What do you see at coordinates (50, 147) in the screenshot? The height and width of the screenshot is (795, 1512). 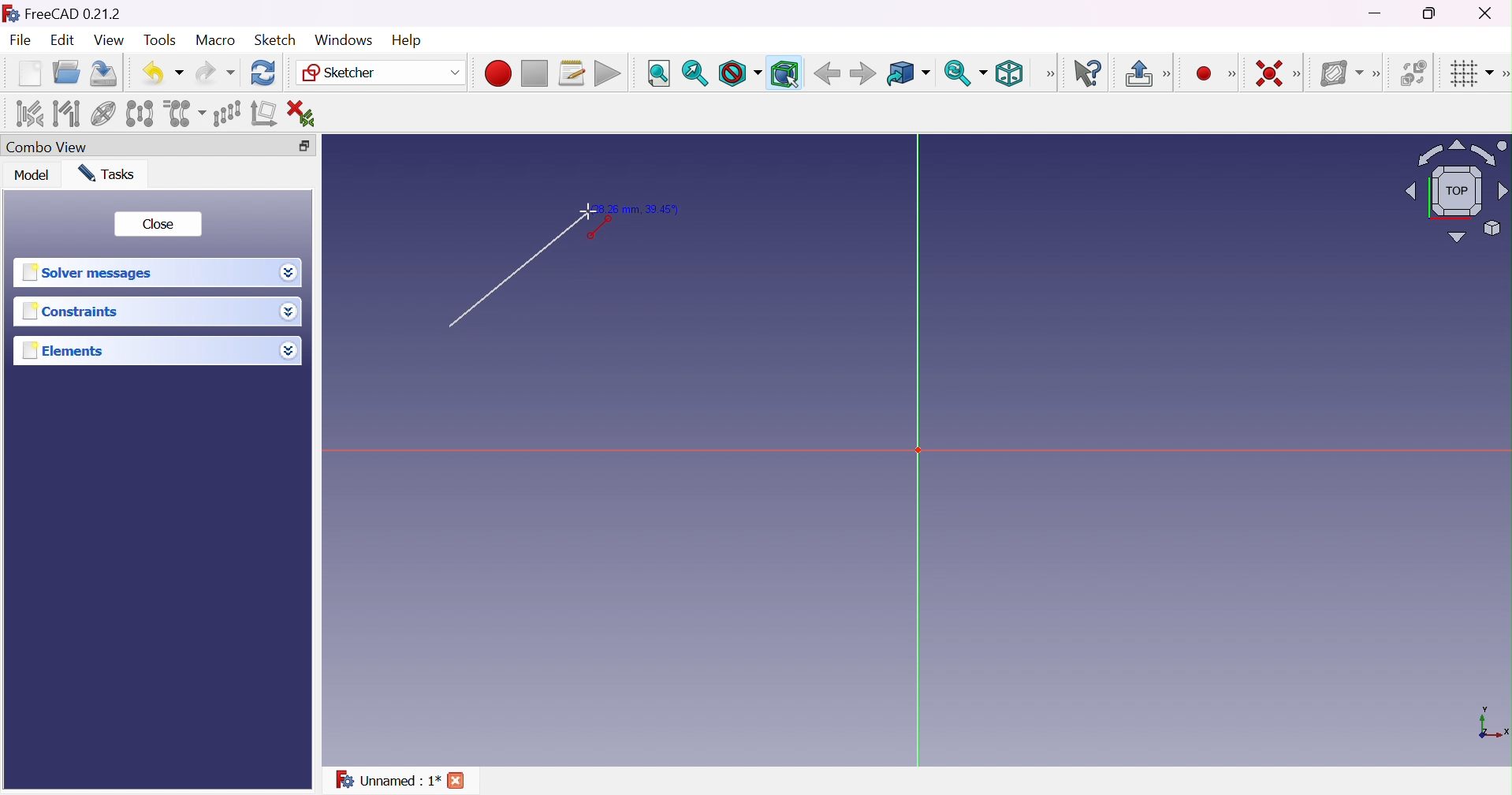 I see `Combo view` at bounding box center [50, 147].